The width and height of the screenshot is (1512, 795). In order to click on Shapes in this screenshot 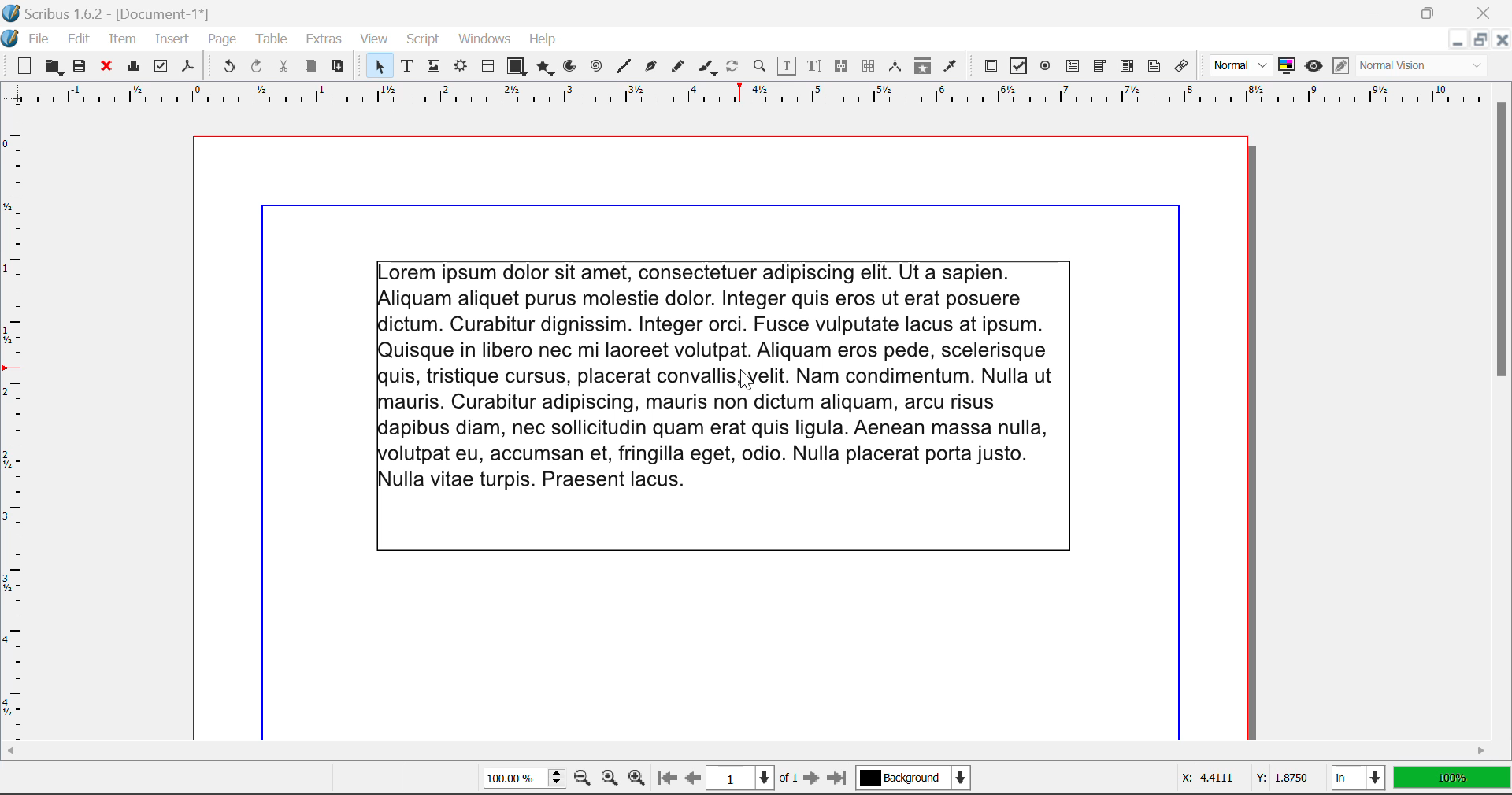, I will do `click(517, 68)`.